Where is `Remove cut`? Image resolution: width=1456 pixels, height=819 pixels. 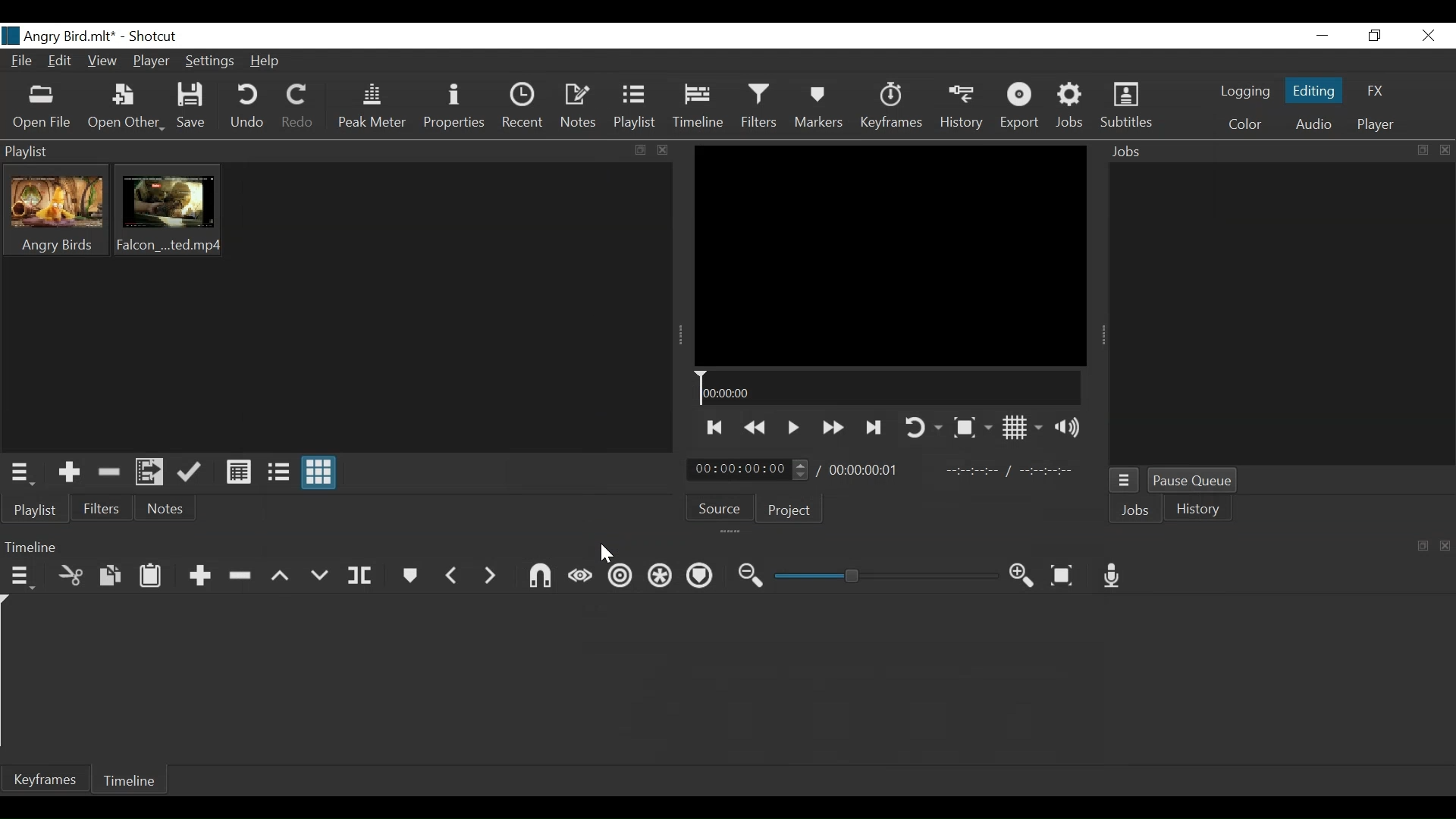 Remove cut is located at coordinates (111, 472).